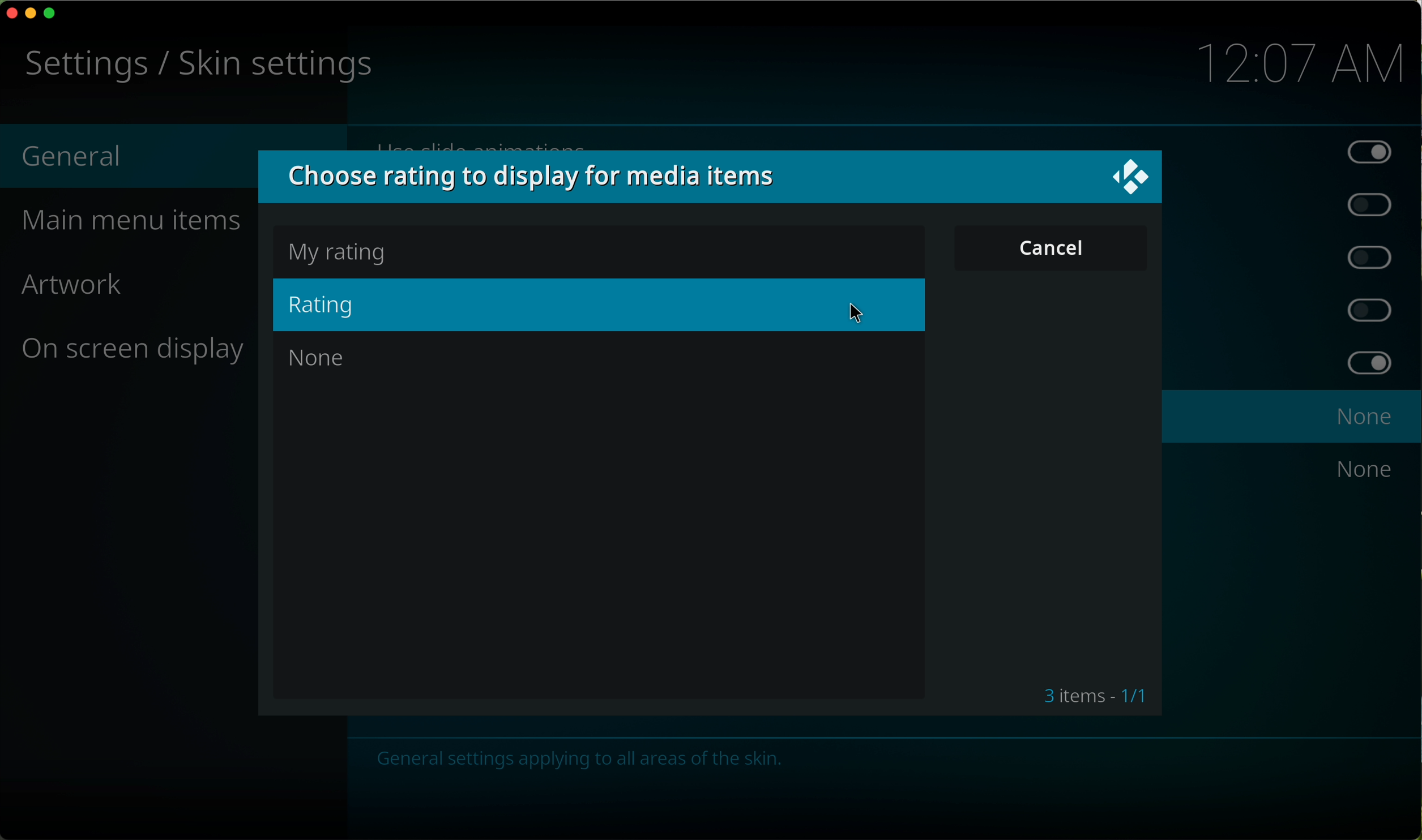 This screenshot has width=1422, height=840. I want to click on none, so click(320, 361).